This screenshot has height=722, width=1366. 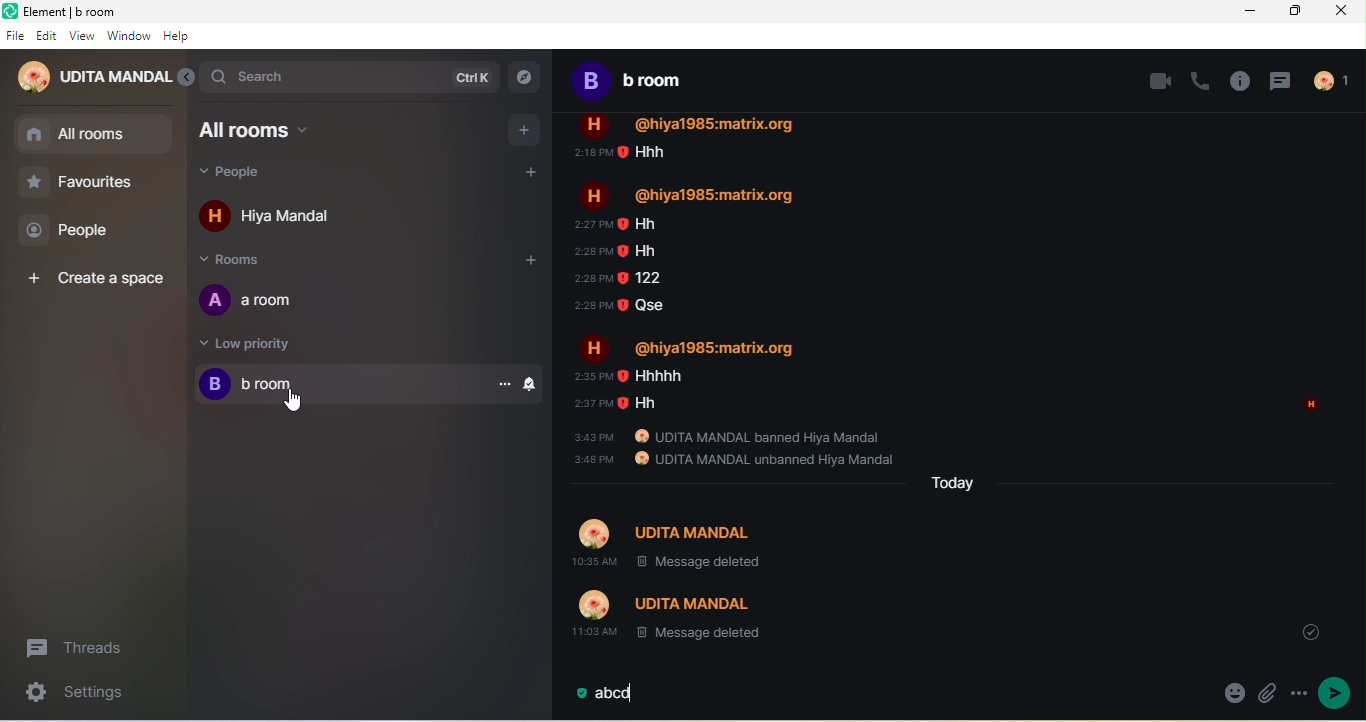 What do you see at coordinates (531, 79) in the screenshot?
I see `explore` at bounding box center [531, 79].